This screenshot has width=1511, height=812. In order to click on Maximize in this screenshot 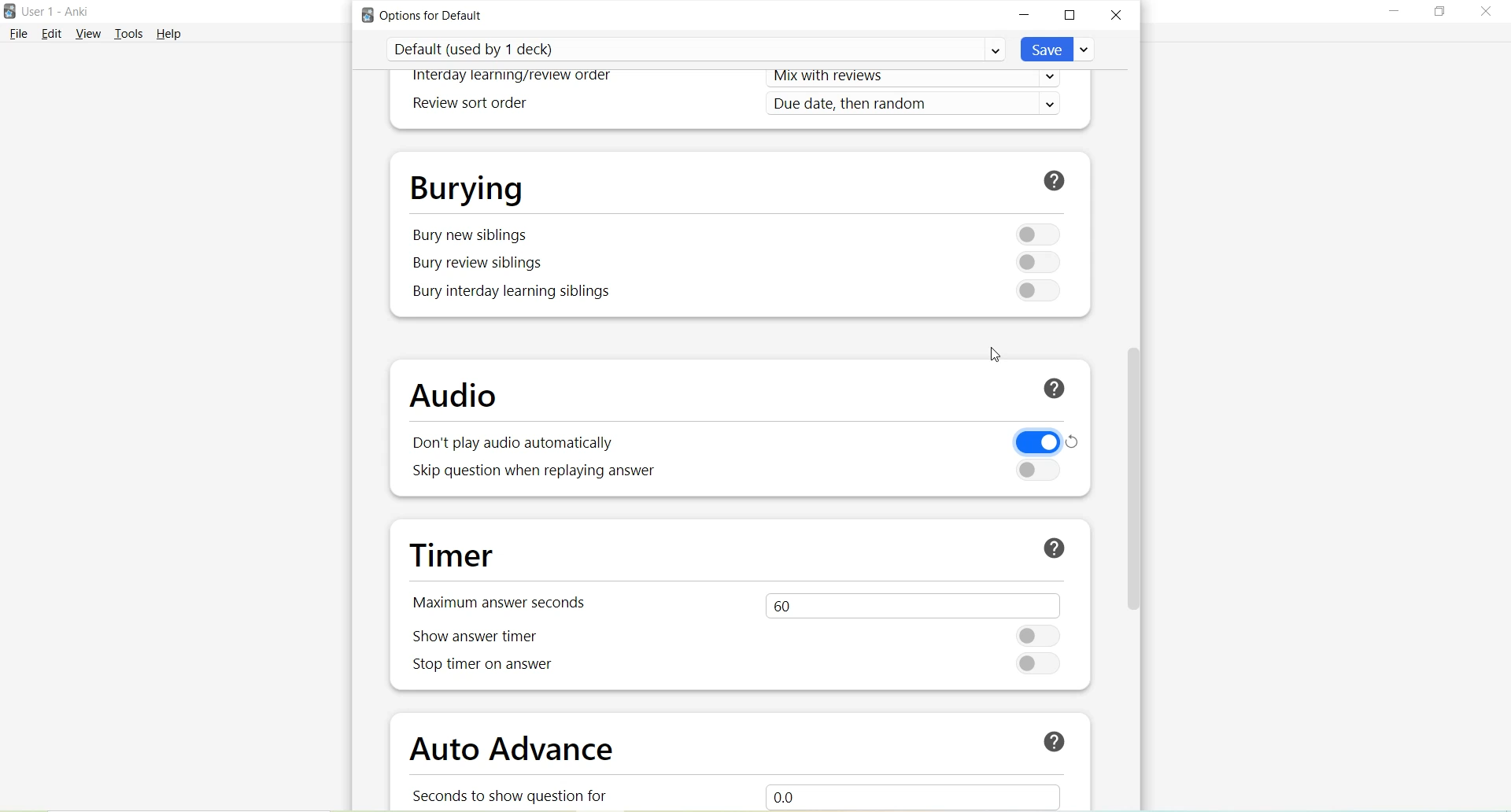, I will do `click(1439, 12)`.